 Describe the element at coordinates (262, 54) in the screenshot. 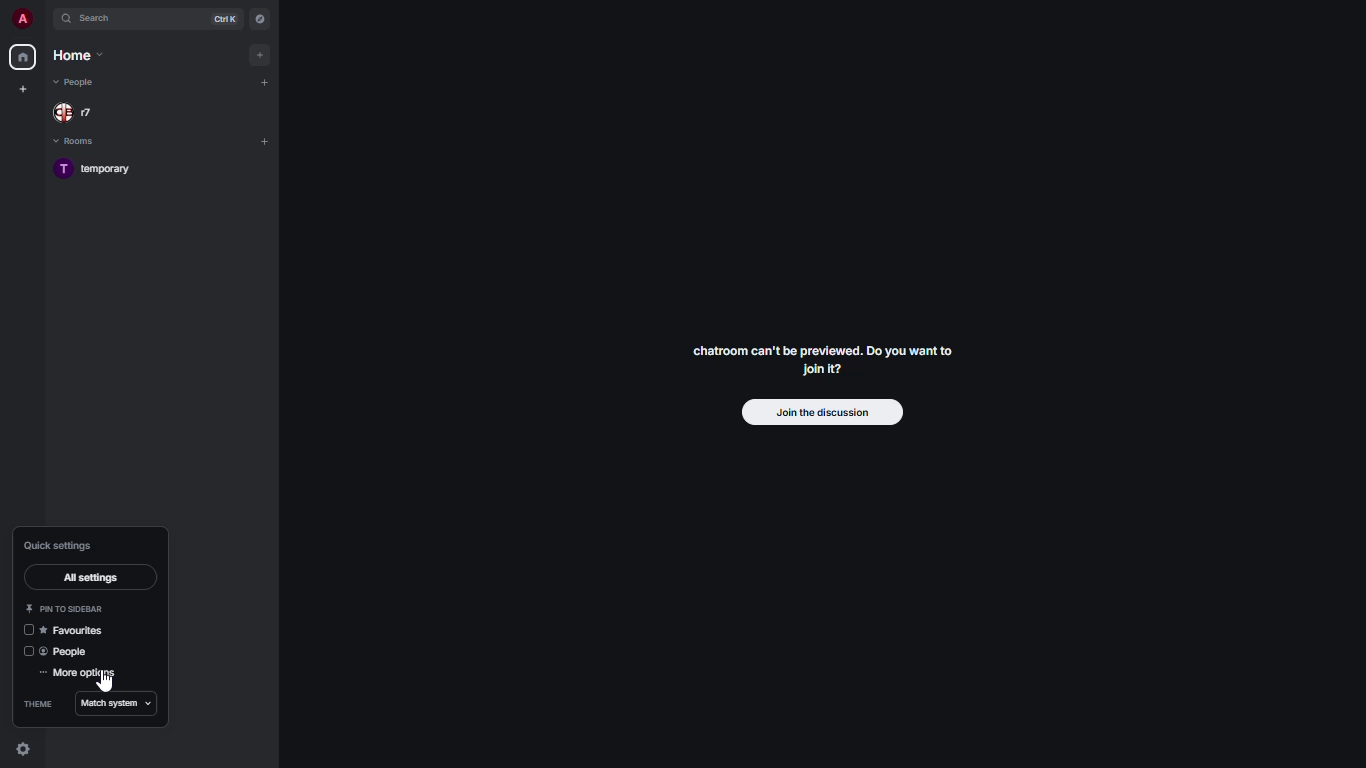

I see `add` at that location.